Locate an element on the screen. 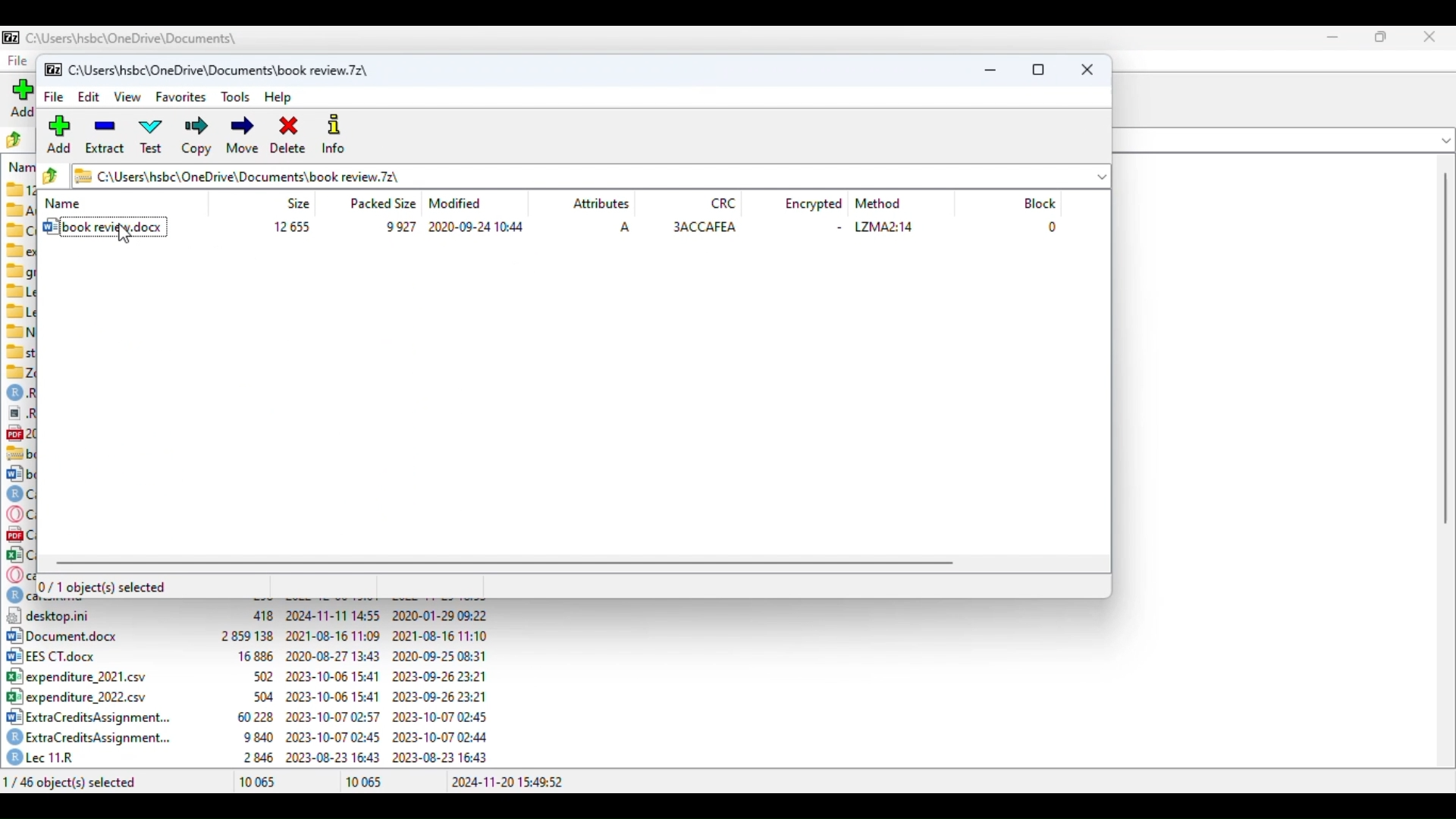 The width and height of the screenshot is (1456, 819). cursor is located at coordinates (126, 236).